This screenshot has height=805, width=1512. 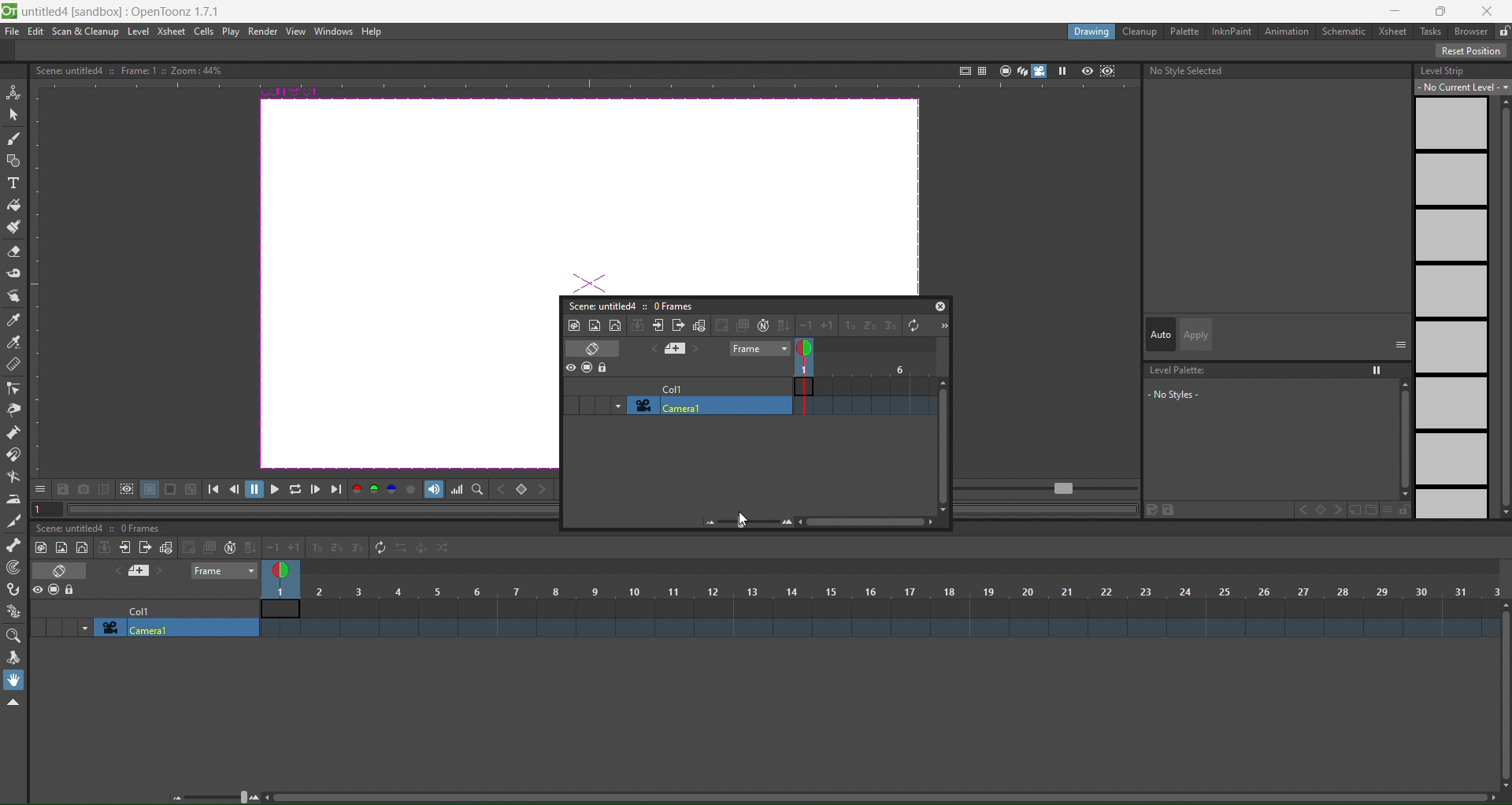 I want to click on safe area, so click(x=963, y=69).